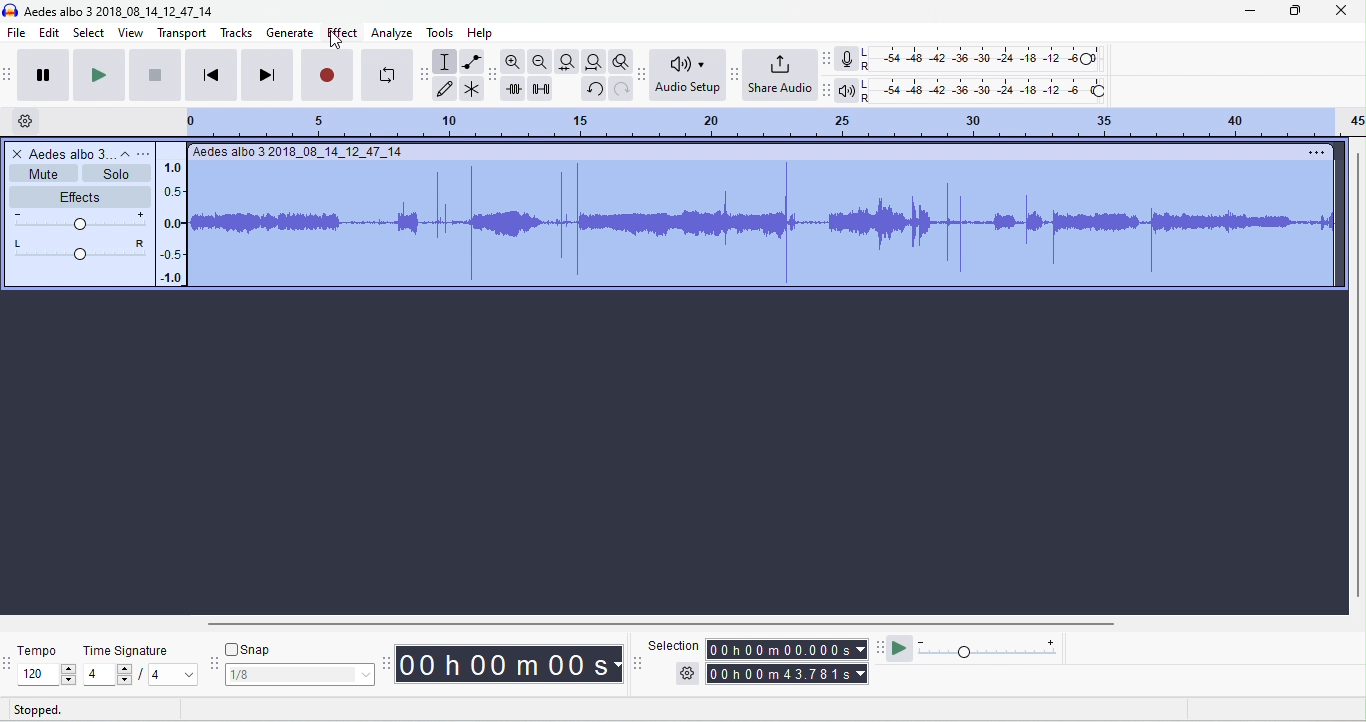 The height and width of the screenshot is (722, 1366). What do you see at coordinates (37, 710) in the screenshot?
I see `stopped` at bounding box center [37, 710].